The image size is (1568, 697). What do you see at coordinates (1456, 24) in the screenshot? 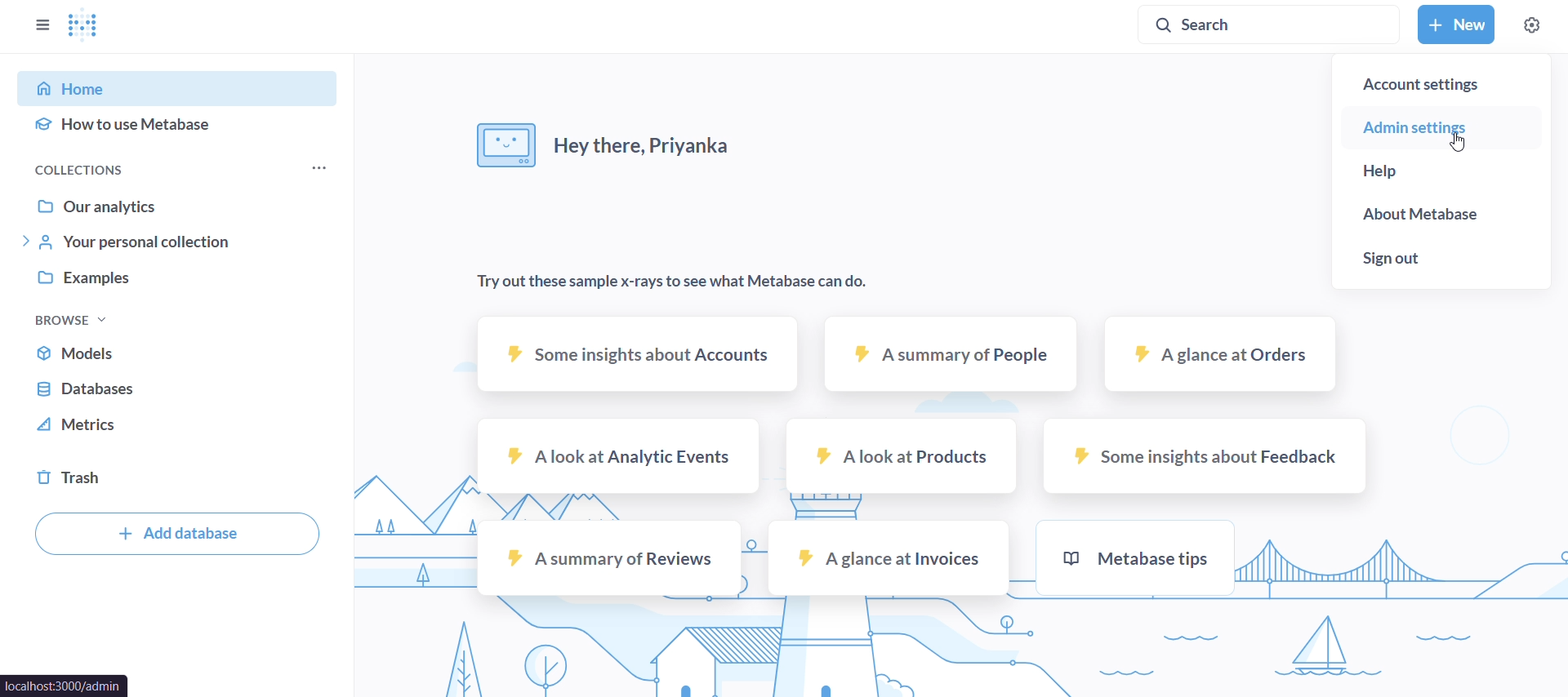
I see `` at bounding box center [1456, 24].